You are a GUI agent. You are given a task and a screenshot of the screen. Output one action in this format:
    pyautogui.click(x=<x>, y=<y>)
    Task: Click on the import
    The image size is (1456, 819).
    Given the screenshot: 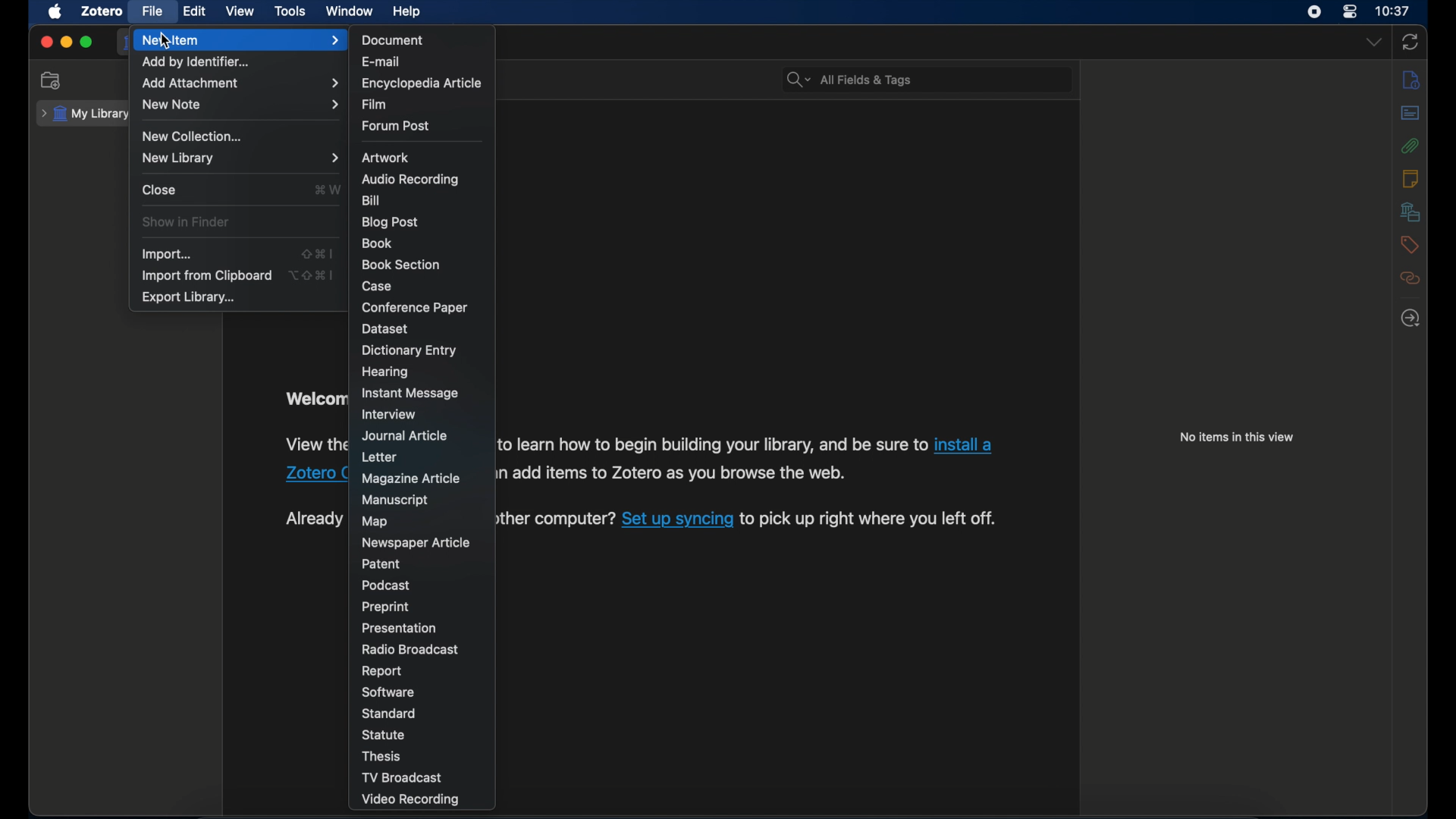 What is the action you would take?
    pyautogui.click(x=165, y=253)
    